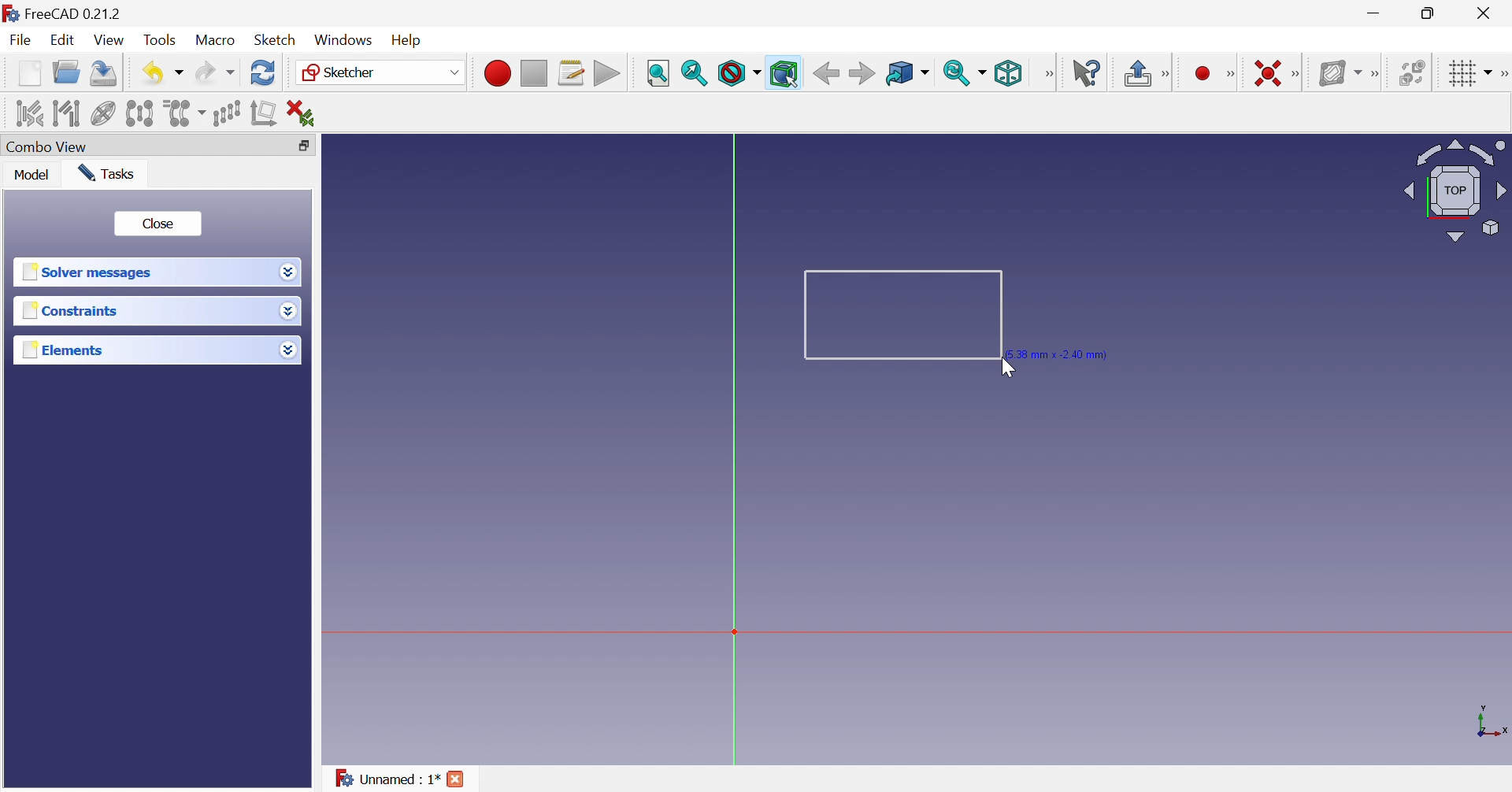  What do you see at coordinates (306, 147) in the screenshot?
I see `Restore down` at bounding box center [306, 147].